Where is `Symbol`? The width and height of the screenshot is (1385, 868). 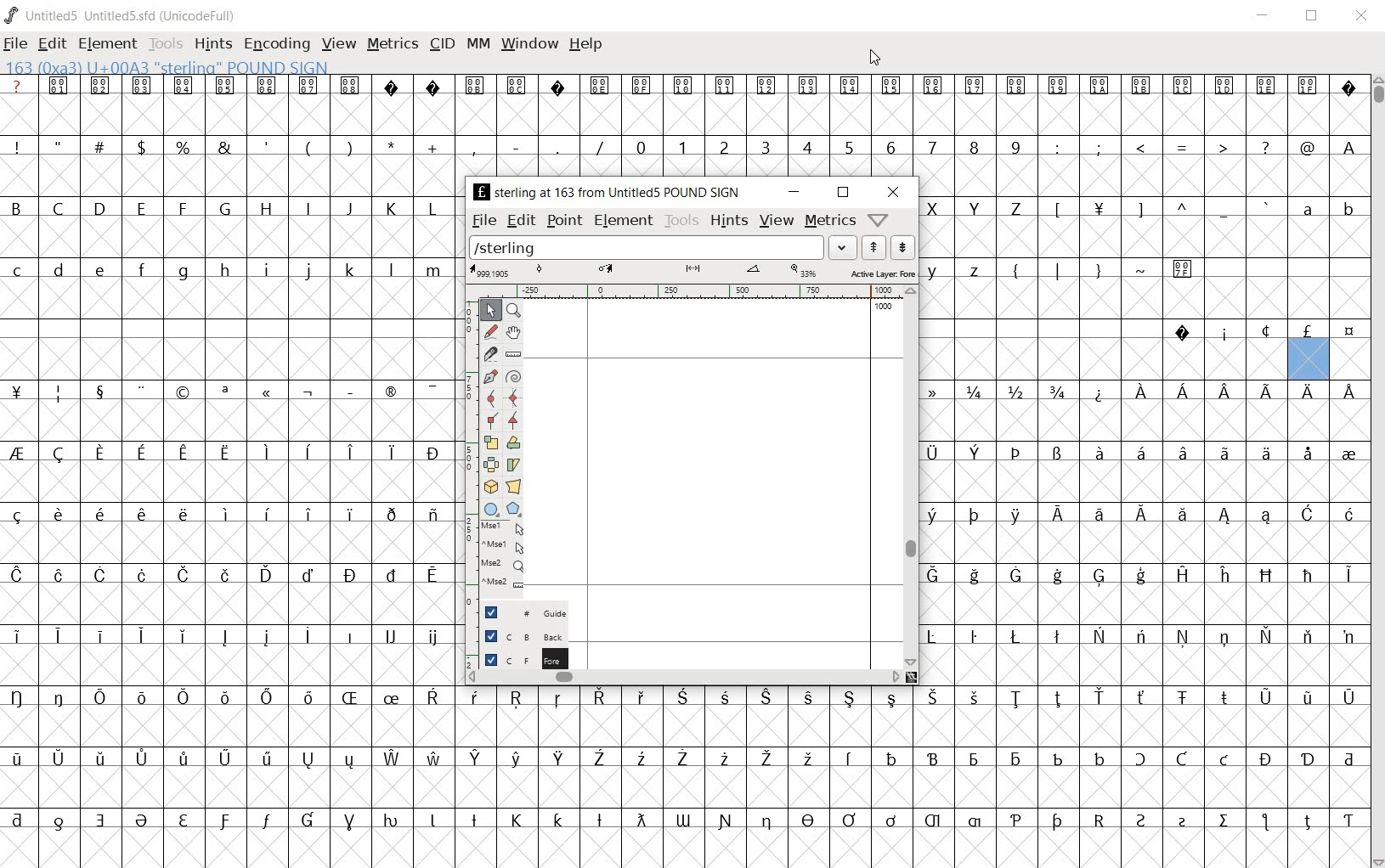 Symbol is located at coordinates (308, 759).